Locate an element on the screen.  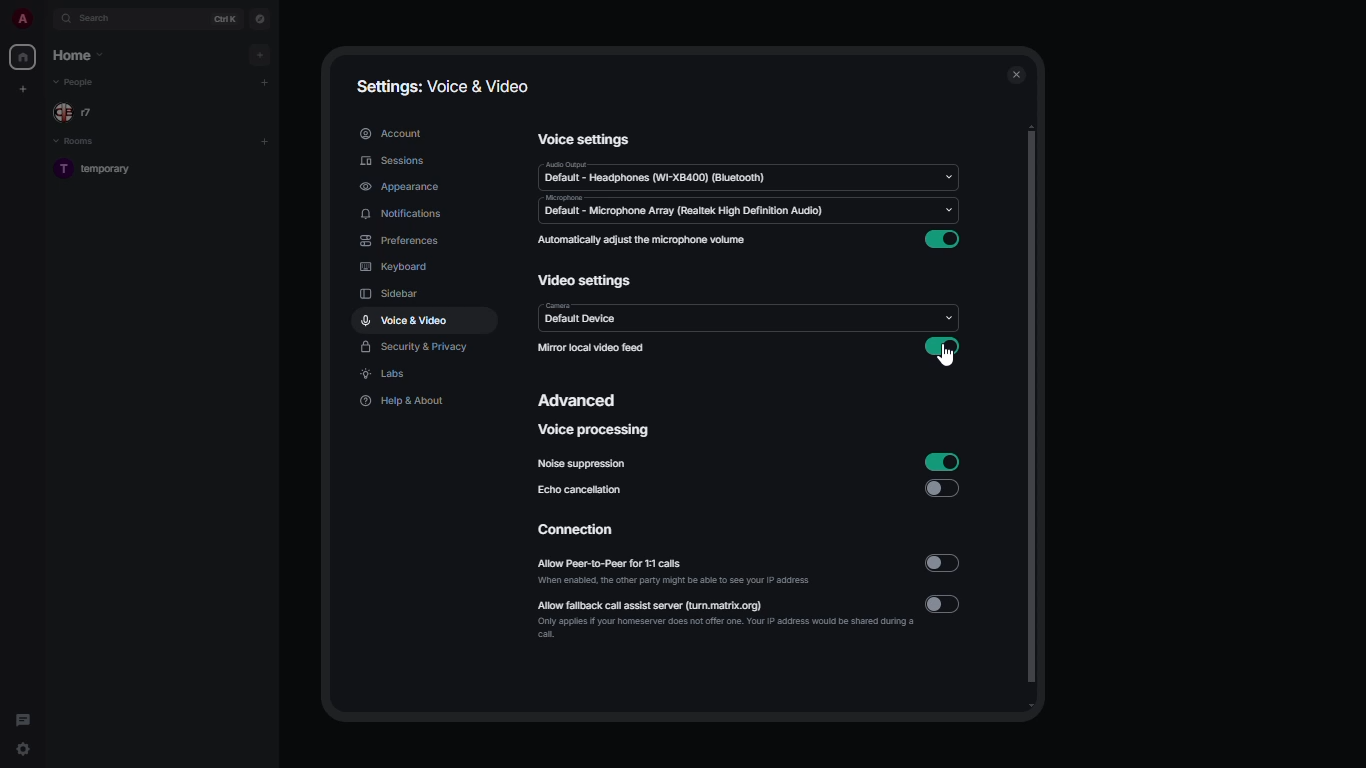
add is located at coordinates (266, 81).